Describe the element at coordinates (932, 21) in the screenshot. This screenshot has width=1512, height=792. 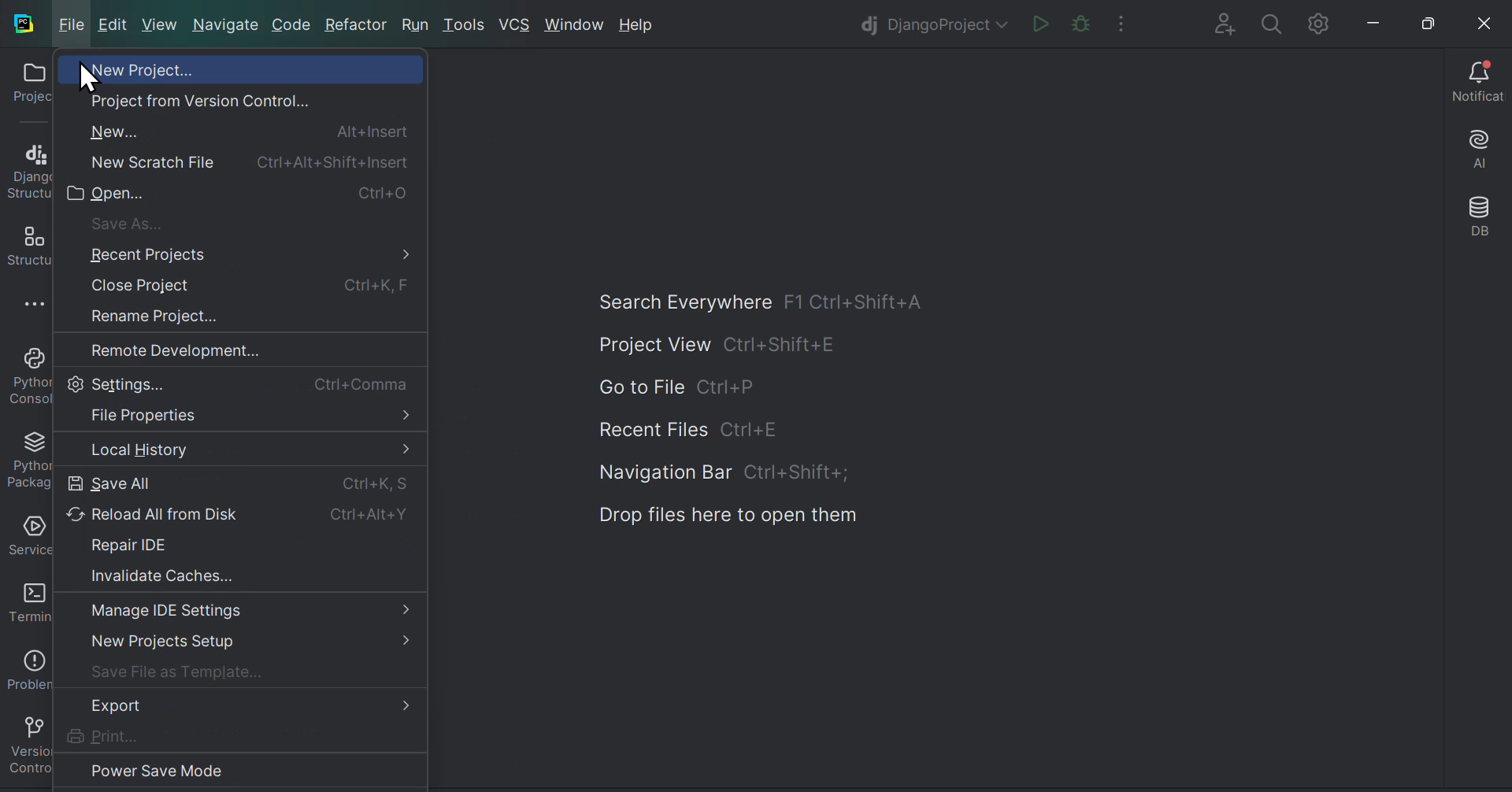
I see `Django project` at that location.